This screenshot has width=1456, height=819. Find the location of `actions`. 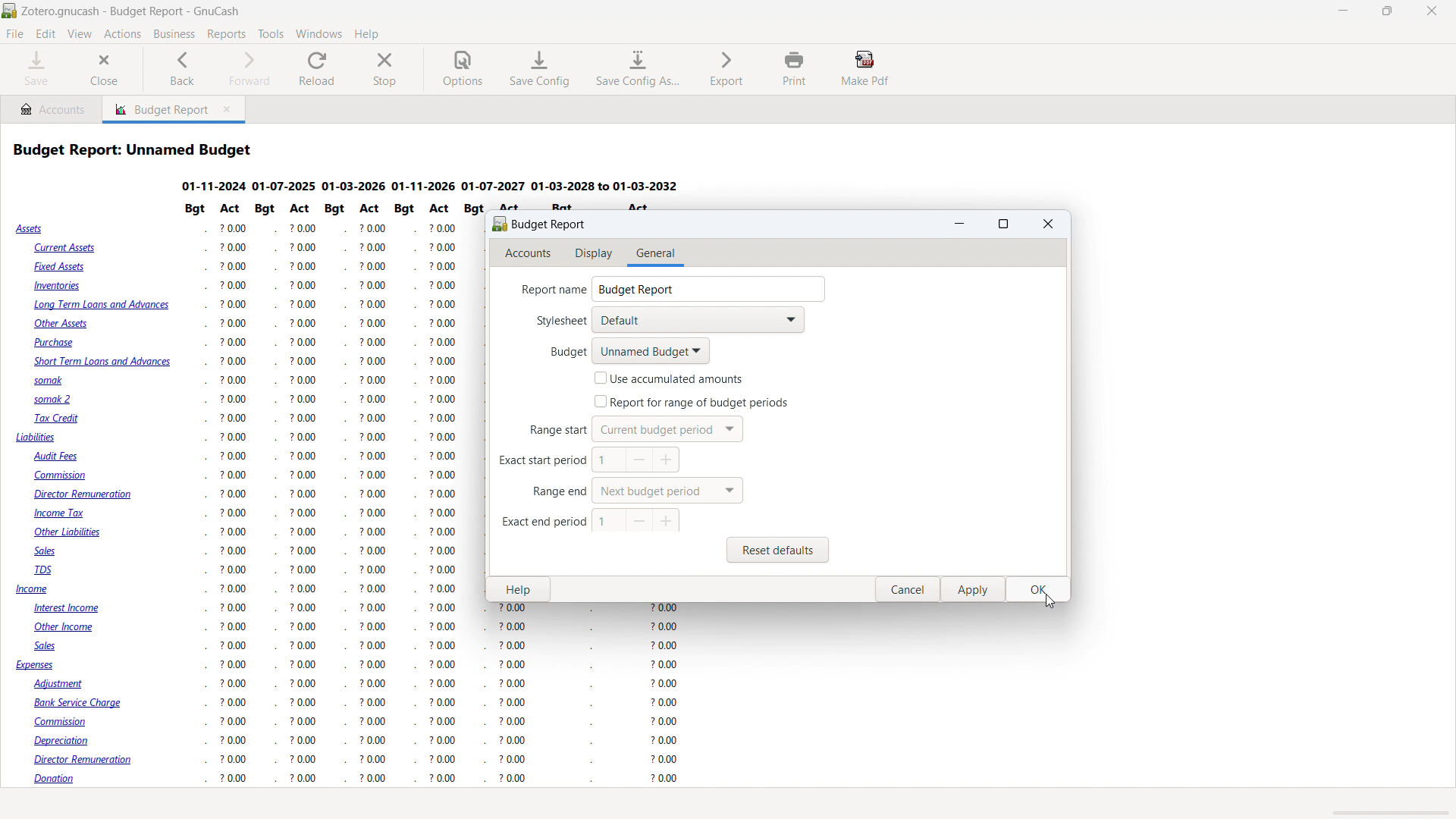

actions is located at coordinates (122, 35).